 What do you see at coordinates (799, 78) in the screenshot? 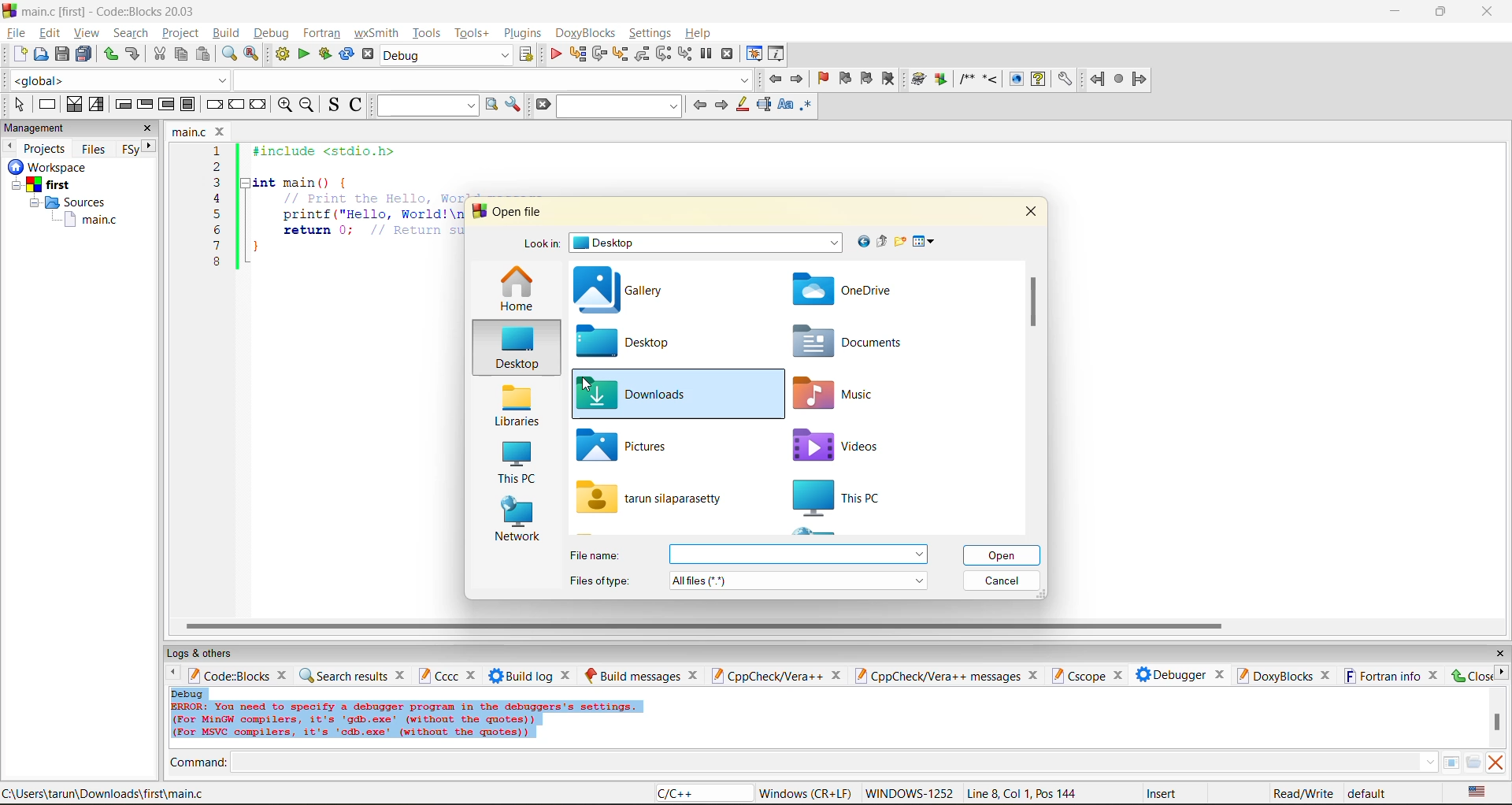
I see `jump forward` at bounding box center [799, 78].